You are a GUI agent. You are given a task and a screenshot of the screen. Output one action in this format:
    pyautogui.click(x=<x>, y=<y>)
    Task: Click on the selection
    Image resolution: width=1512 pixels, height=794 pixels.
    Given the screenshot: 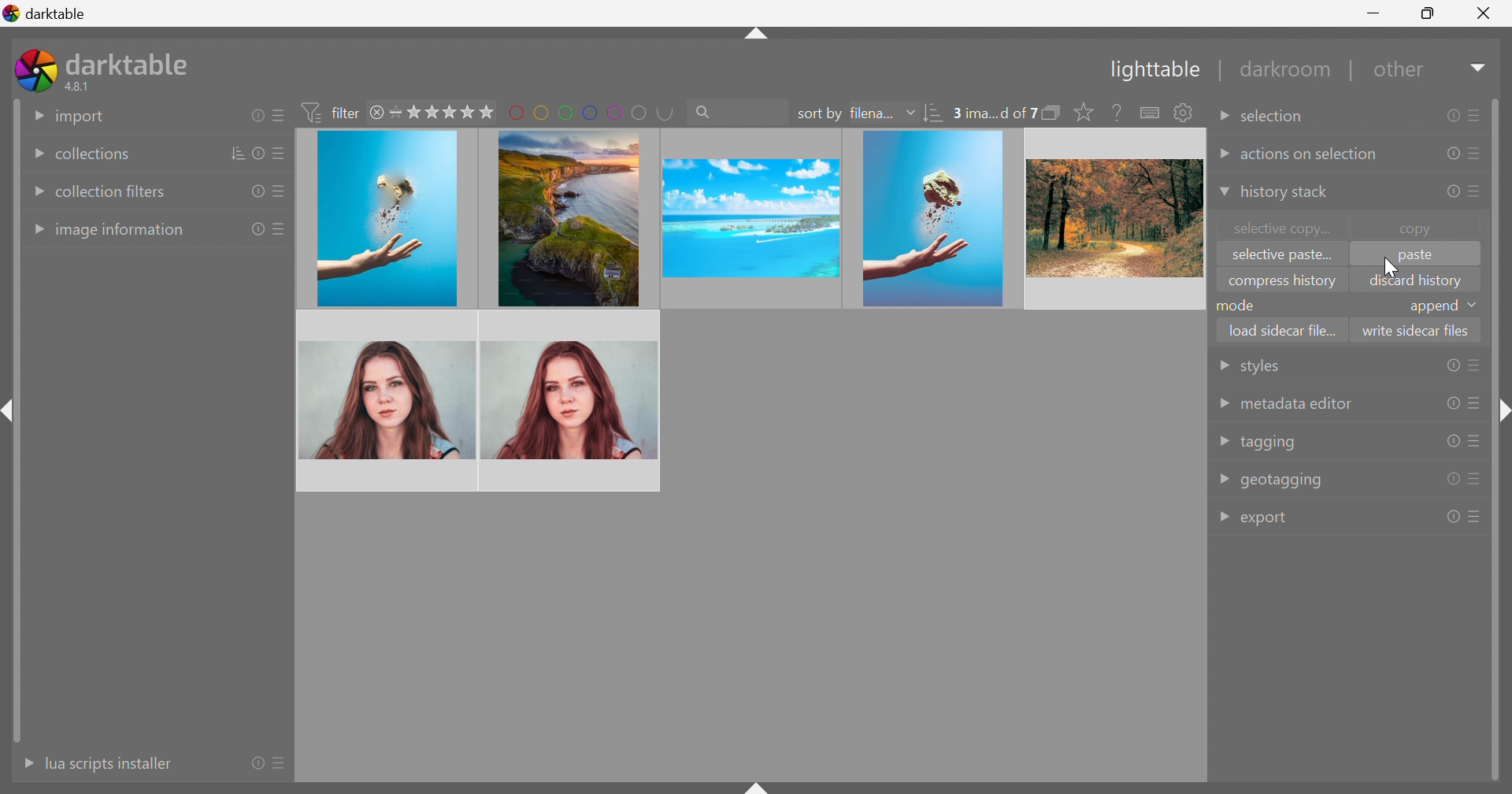 What is the action you would take?
    pyautogui.click(x=1277, y=117)
    